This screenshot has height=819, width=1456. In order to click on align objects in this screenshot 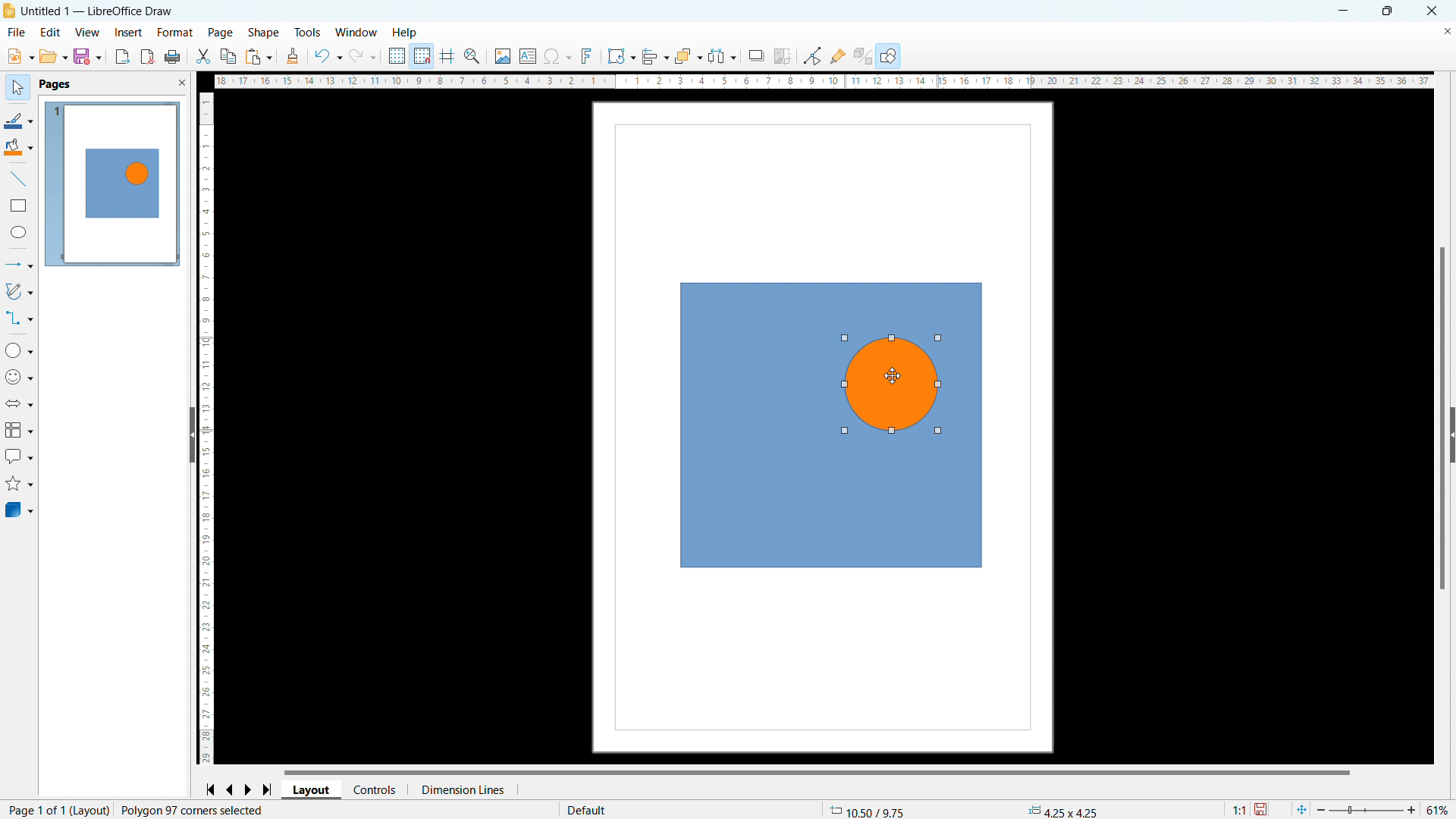, I will do `click(654, 56)`.